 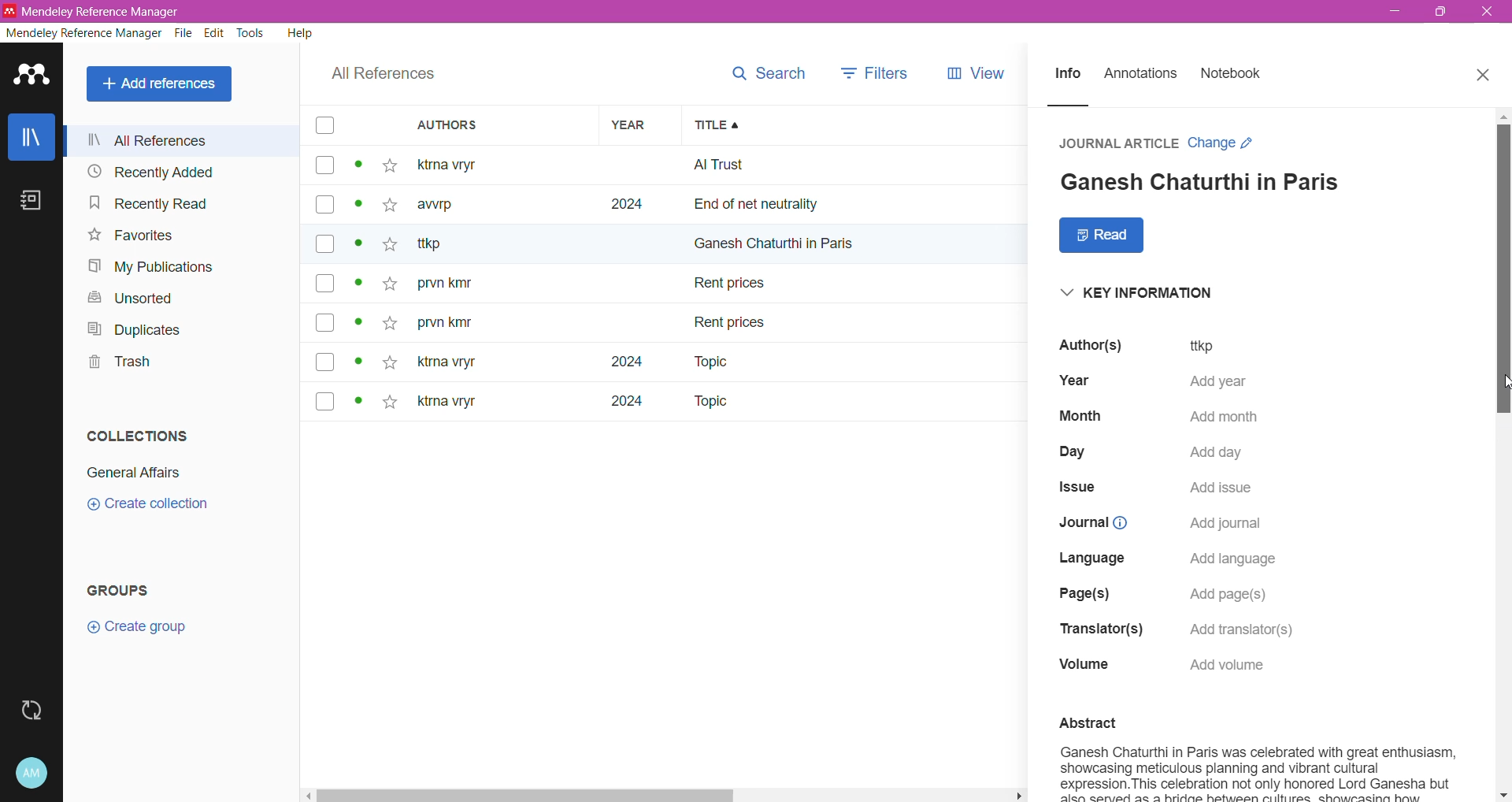 I want to click on Issue, so click(x=1070, y=488).